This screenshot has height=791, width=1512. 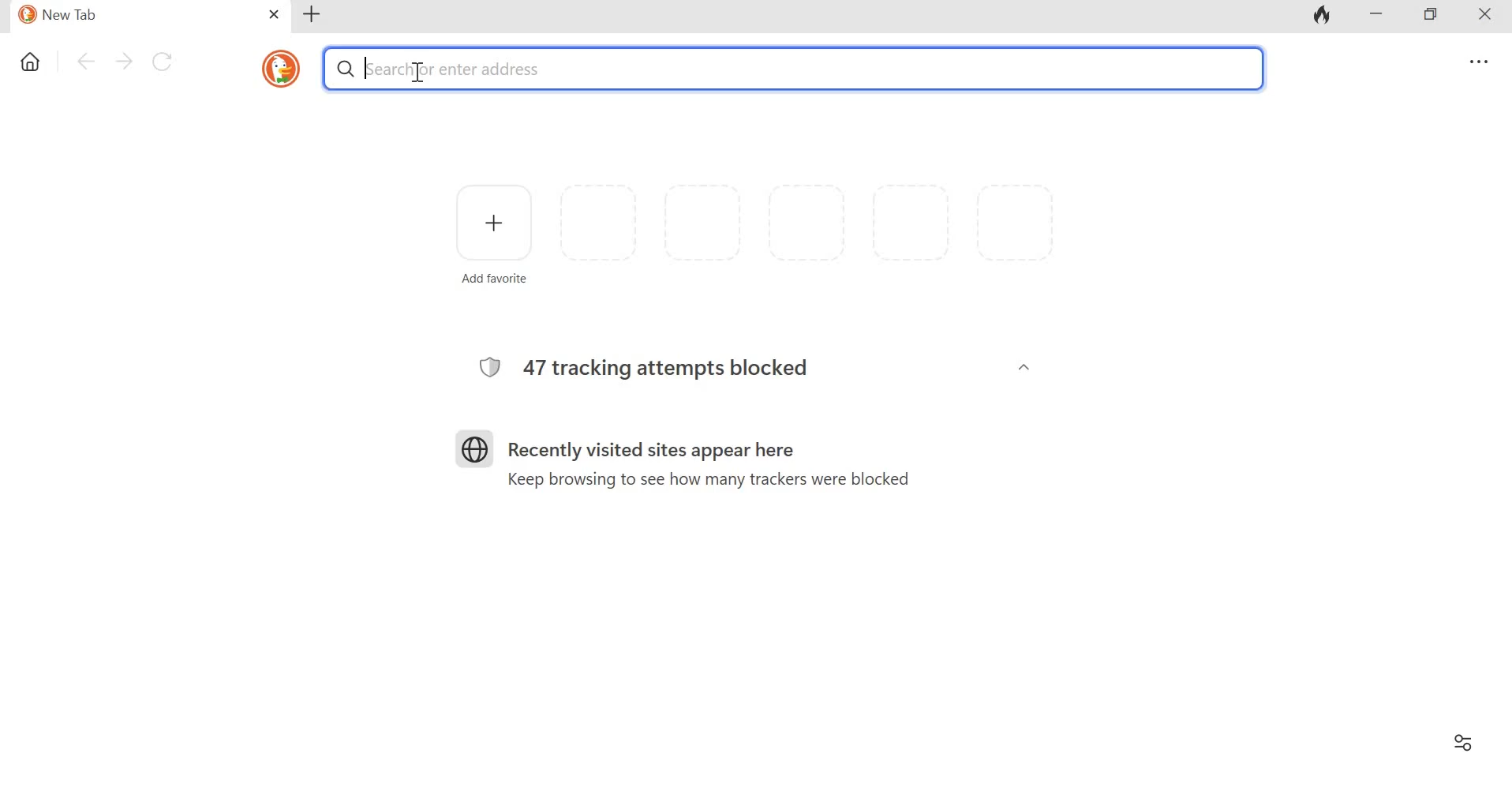 What do you see at coordinates (491, 219) in the screenshot?
I see `Add favorite` at bounding box center [491, 219].